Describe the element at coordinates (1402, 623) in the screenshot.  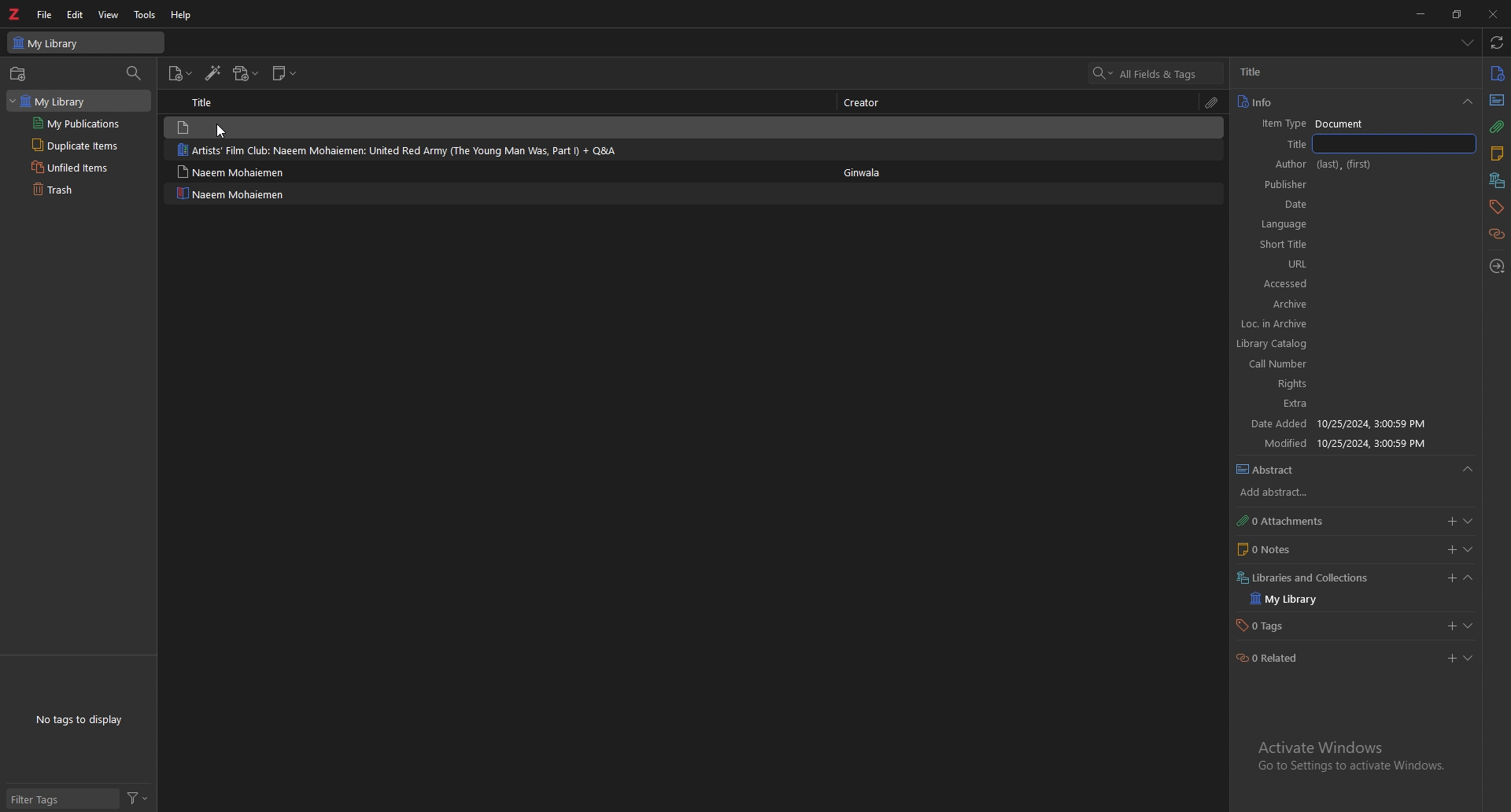
I see `modified input` at that location.